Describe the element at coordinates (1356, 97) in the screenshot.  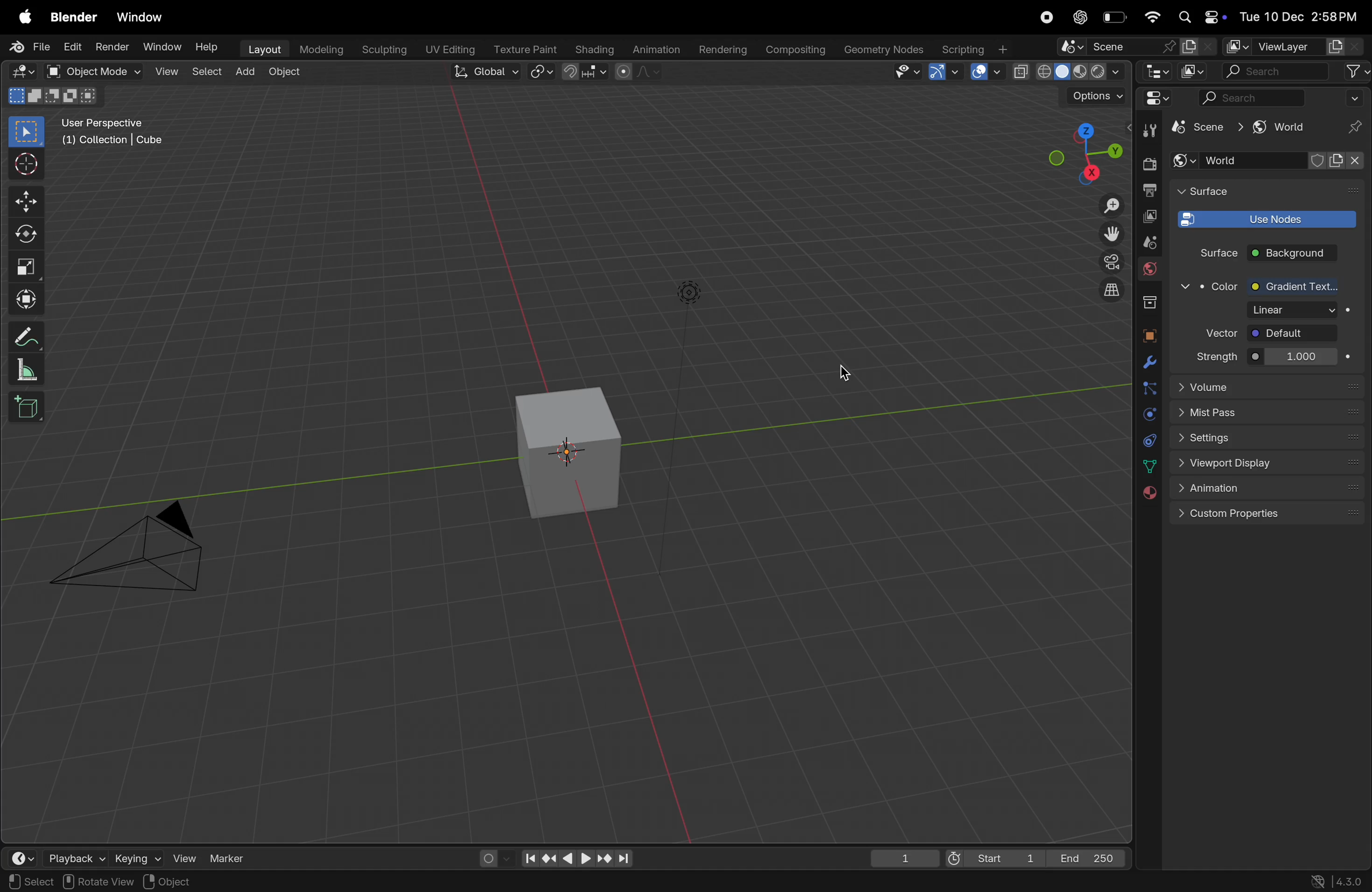
I see `Filter` at that location.